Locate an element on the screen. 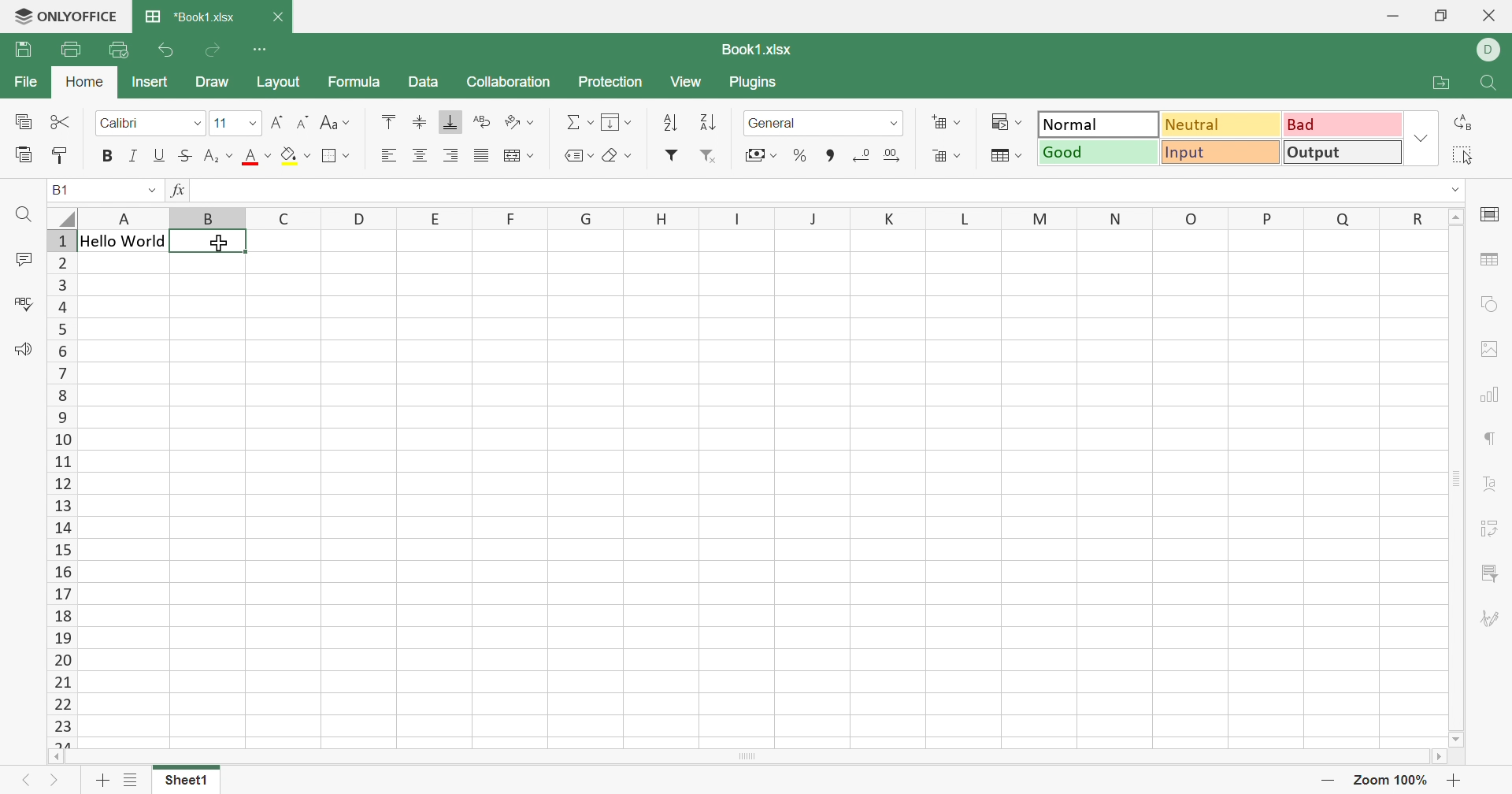 Image resolution: width=1512 pixels, height=794 pixels. Feedback & Support is located at coordinates (24, 350).